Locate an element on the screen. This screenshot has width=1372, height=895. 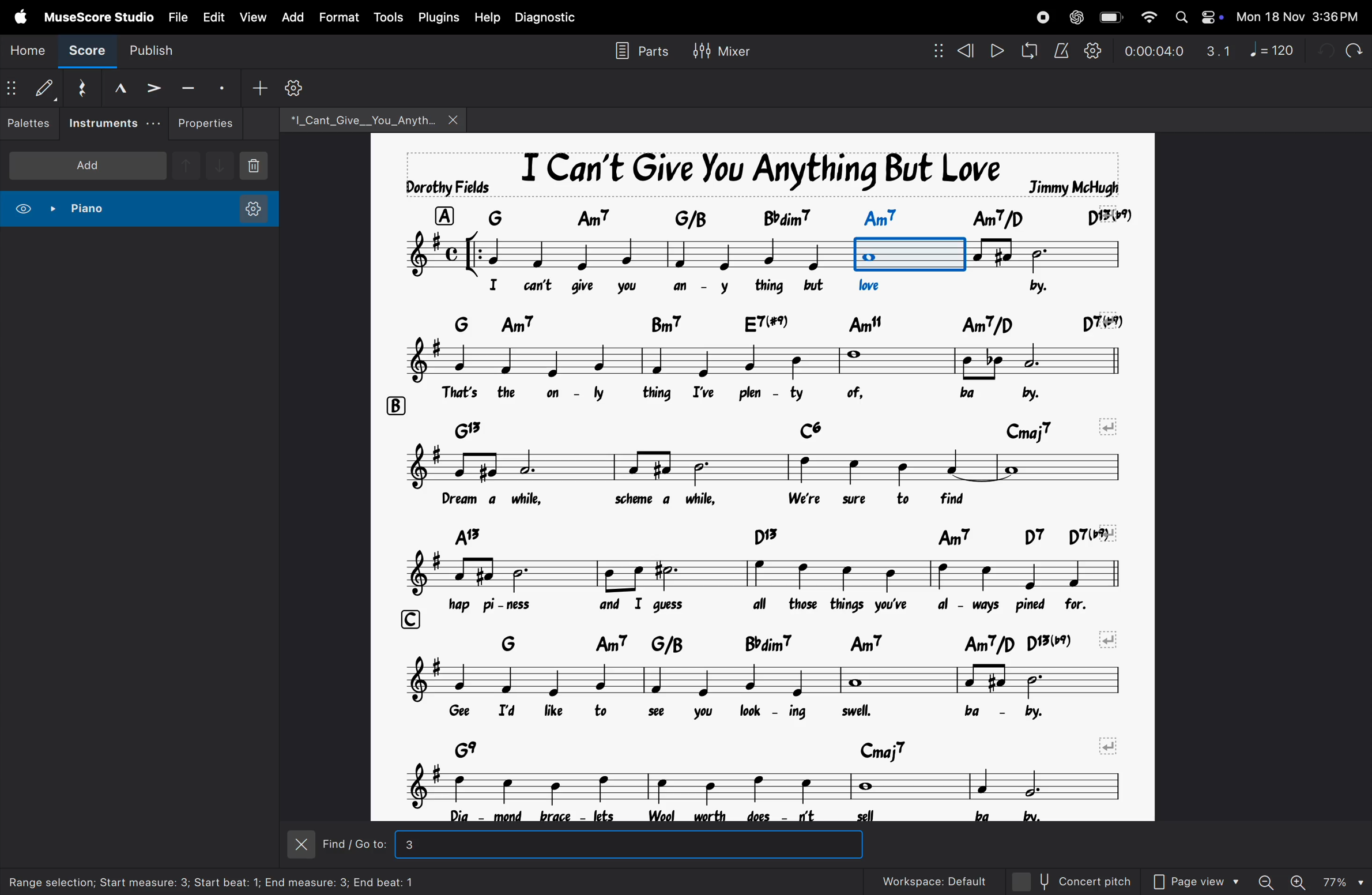
instruments is located at coordinates (114, 122).